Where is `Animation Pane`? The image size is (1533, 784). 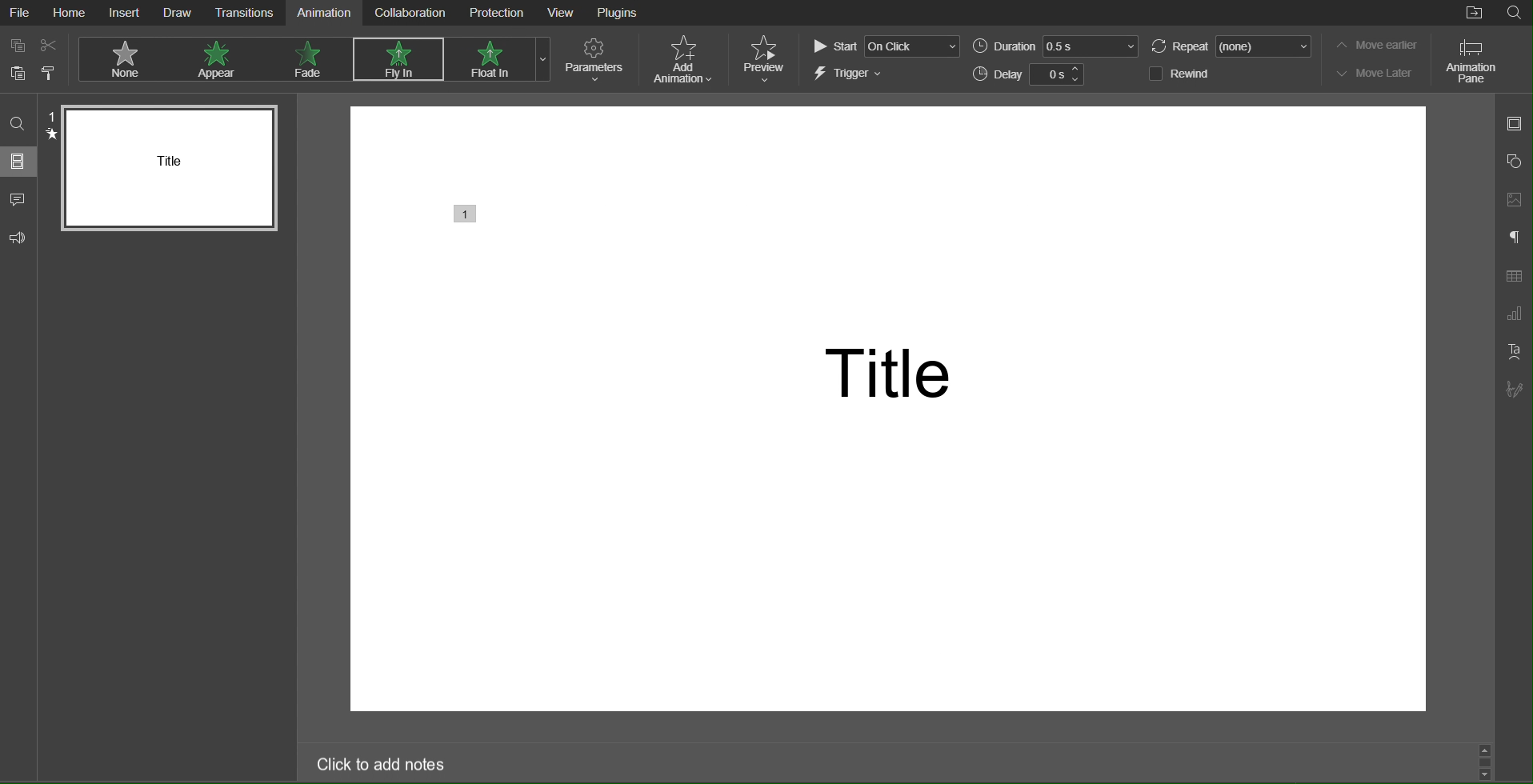 Animation Pane is located at coordinates (1471, 60).